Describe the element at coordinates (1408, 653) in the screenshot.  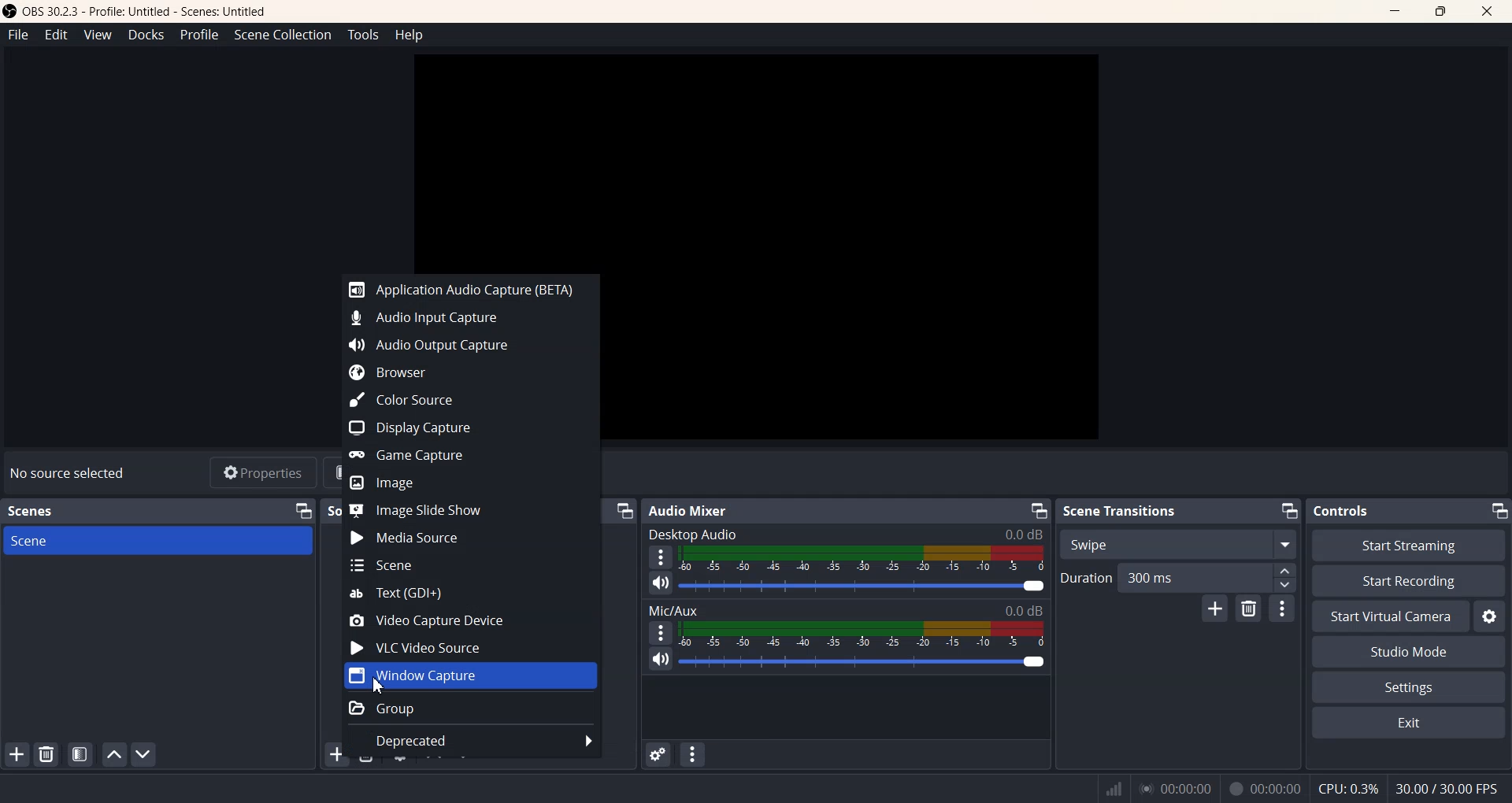
I see `Studio Mode` at that location.